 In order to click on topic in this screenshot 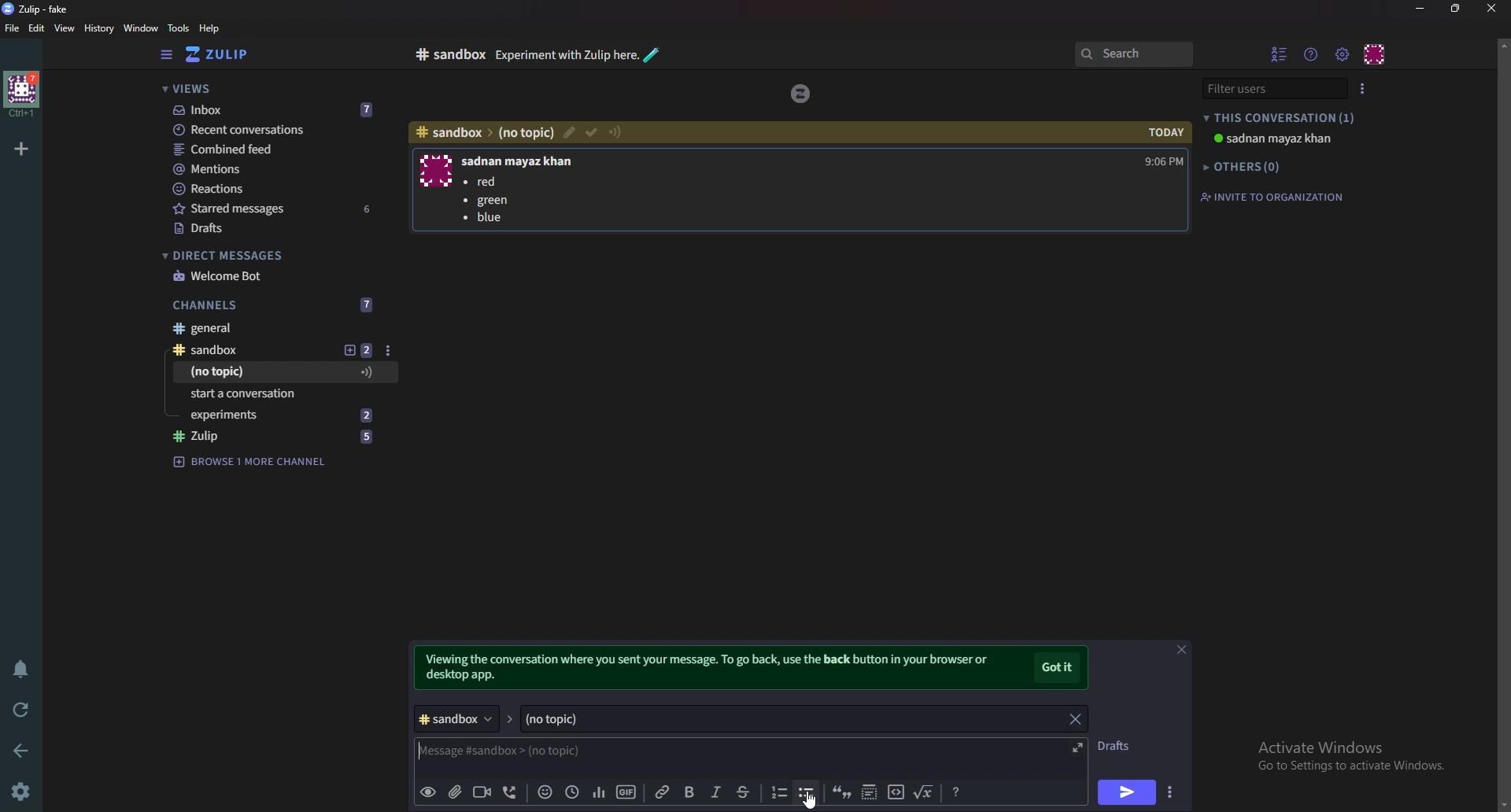, I will do `click(260, 373)`.